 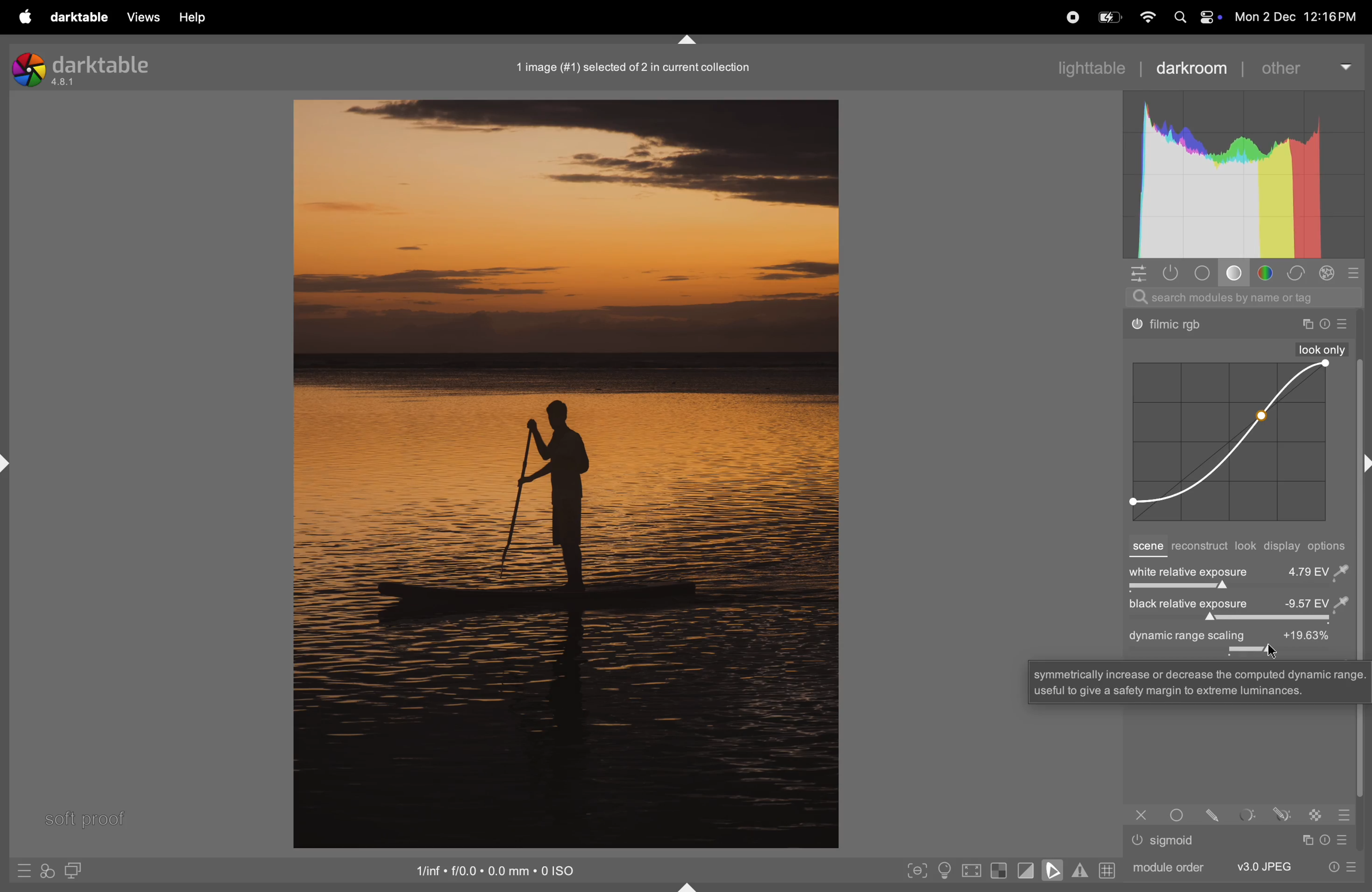 What do you see at coordinates (1109, 18) in the screenshot?
I see `batttery` at bounding box center [1109, 18].